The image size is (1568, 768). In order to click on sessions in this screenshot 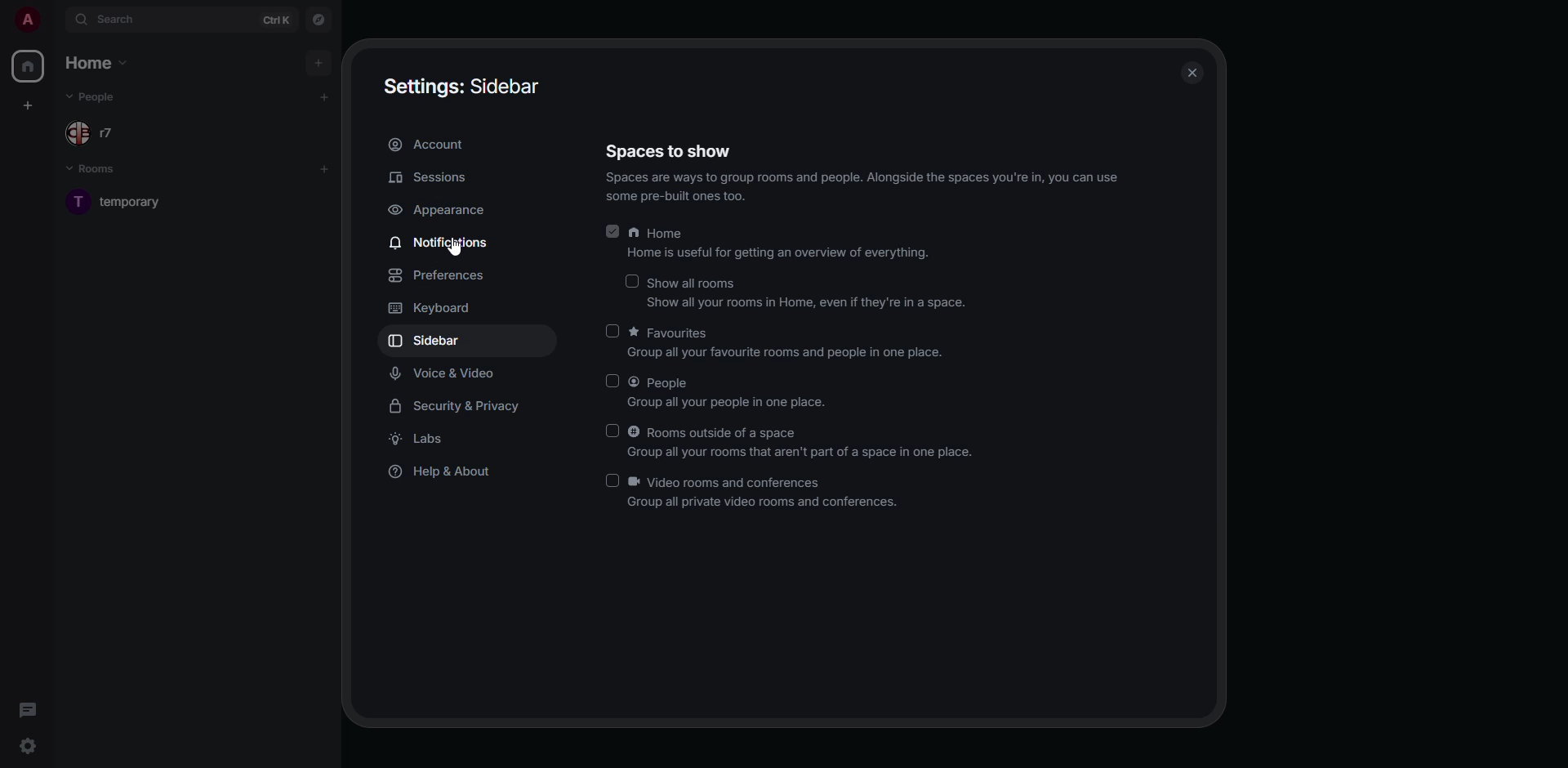, I will do `click(432, 179)`.